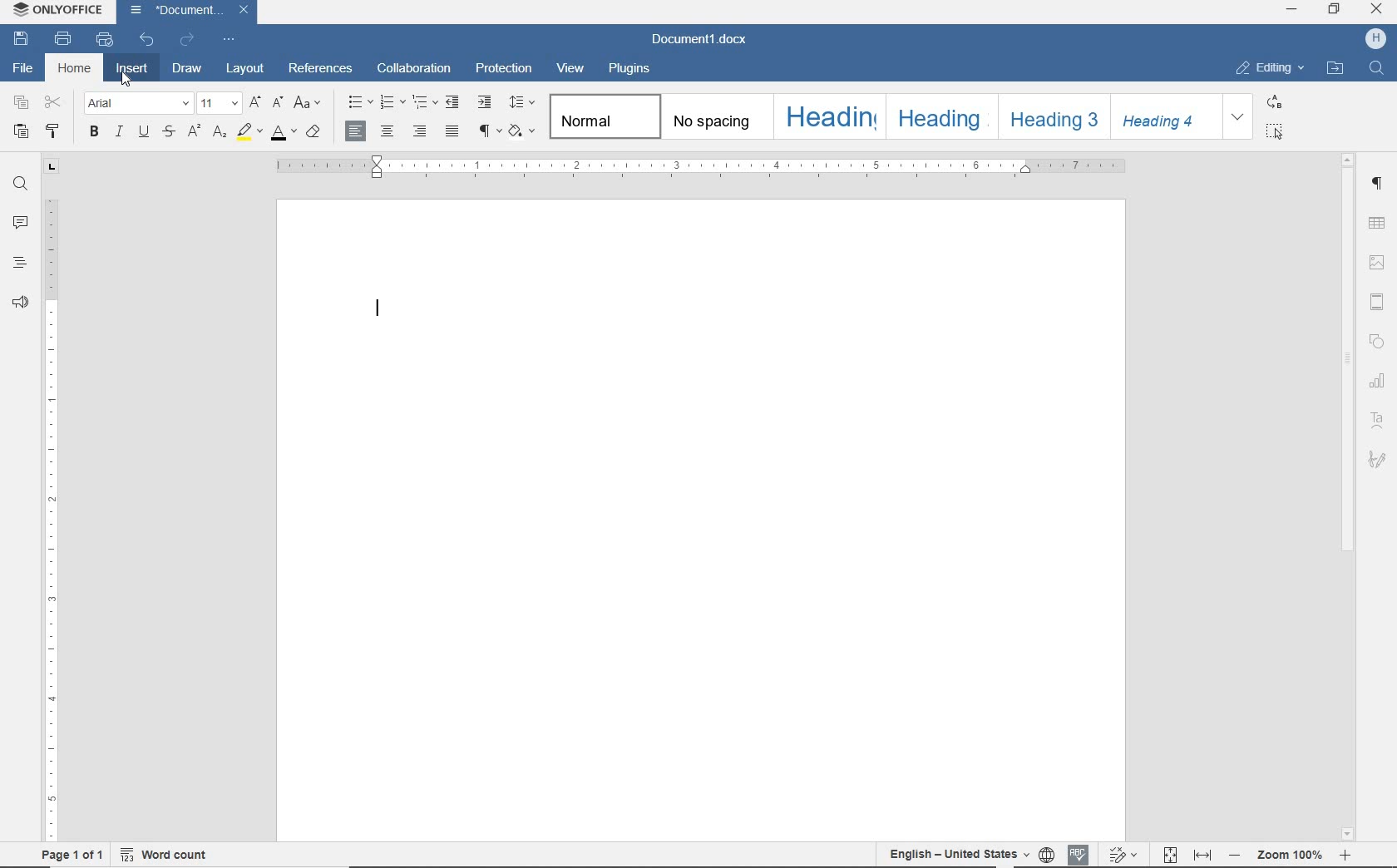 This screenshot has height=868, width=1397. Describe the element at coordinates (1272, 67) in the screenshot. I see `editing` at that location.